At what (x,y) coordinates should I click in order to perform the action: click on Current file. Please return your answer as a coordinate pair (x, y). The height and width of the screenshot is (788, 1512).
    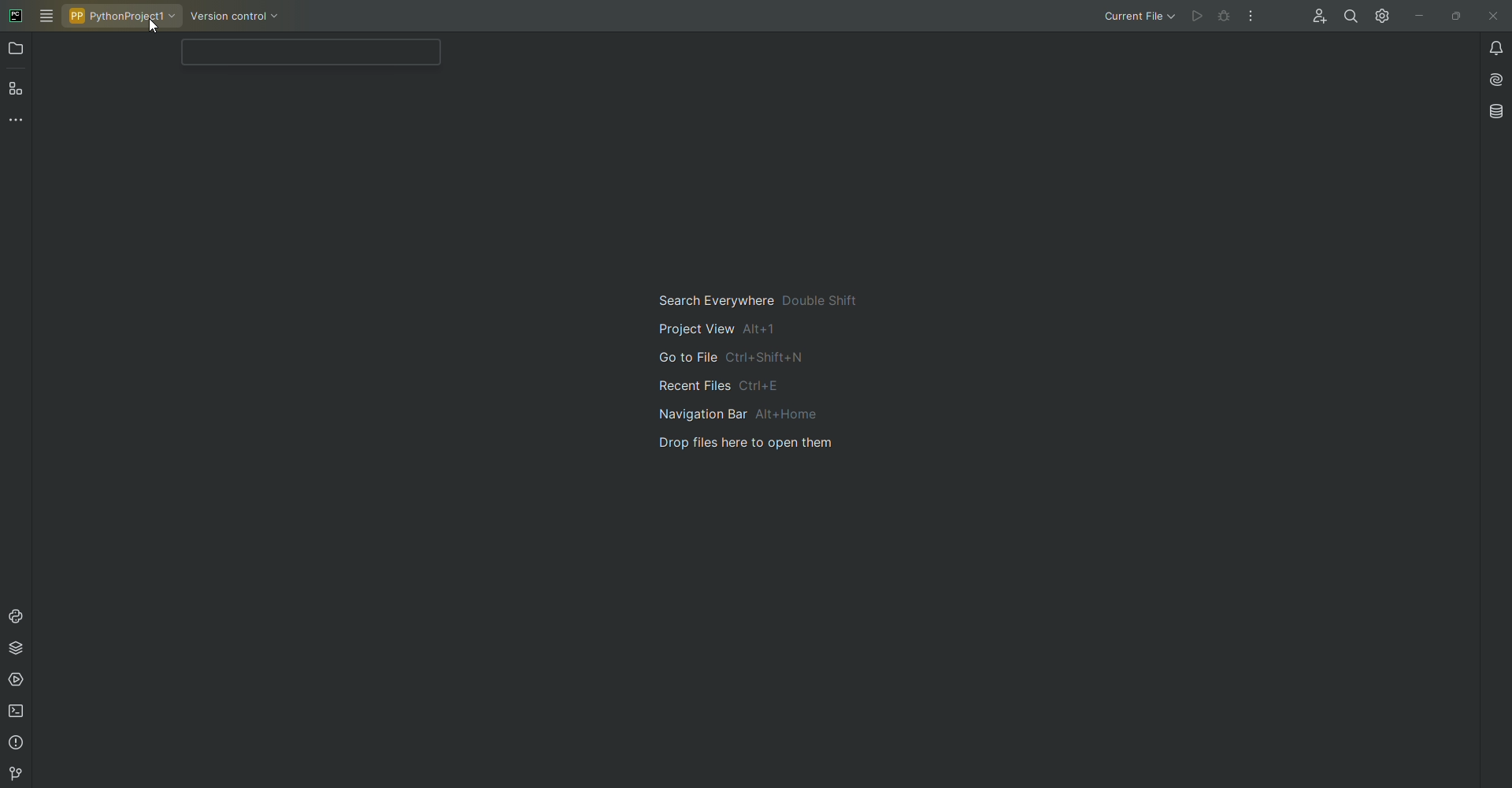
    Looking at the image, I should click on (1138, 17).